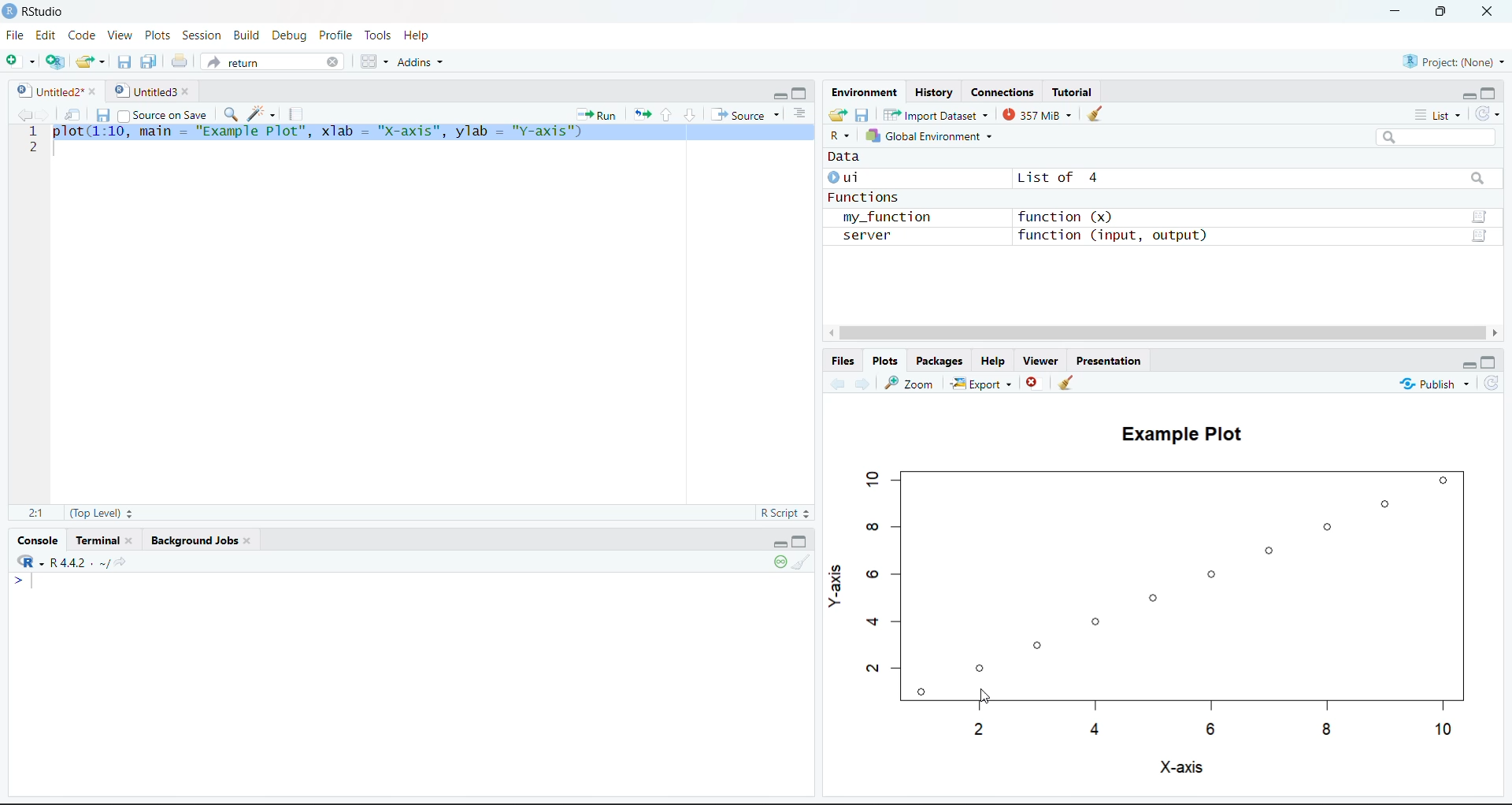  What do you see at coordinates (1488, 113) in the screenshot?
I see `Refresh the list of objects in the environment` at bounding box center [1488, 113].